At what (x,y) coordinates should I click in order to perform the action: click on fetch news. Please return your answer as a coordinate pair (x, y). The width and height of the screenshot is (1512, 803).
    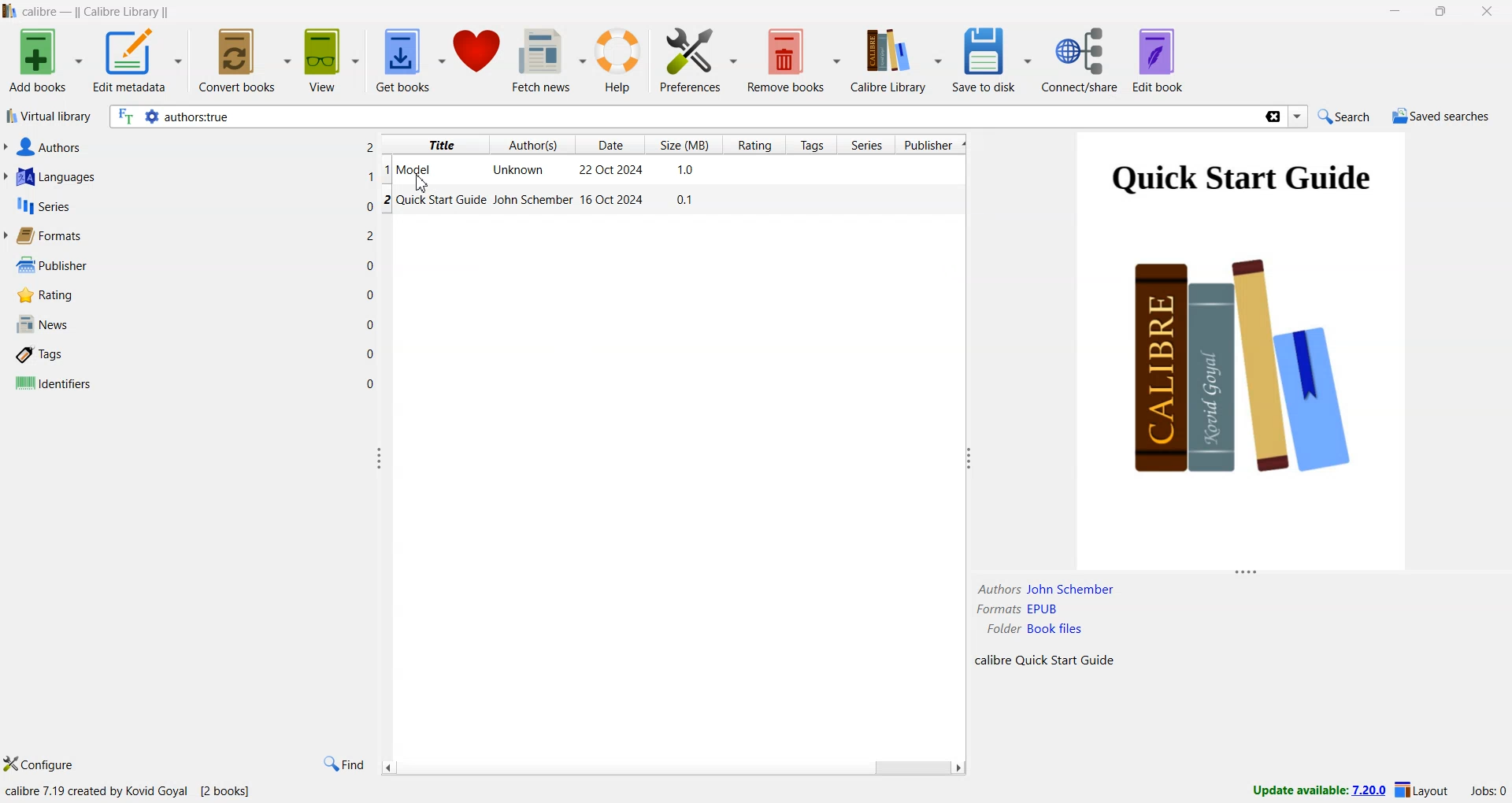
    Looking at the image, I should click on (551, 63).